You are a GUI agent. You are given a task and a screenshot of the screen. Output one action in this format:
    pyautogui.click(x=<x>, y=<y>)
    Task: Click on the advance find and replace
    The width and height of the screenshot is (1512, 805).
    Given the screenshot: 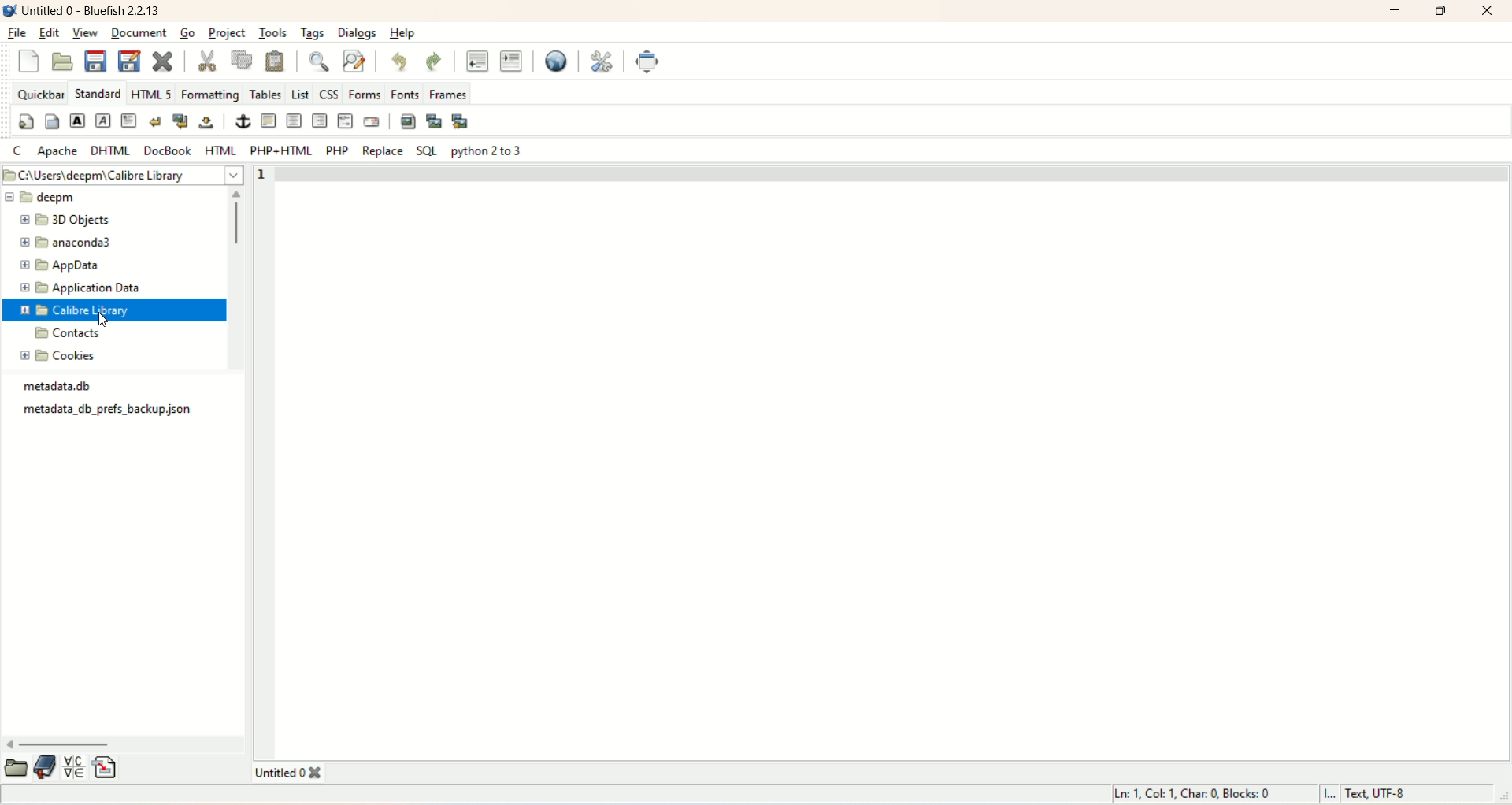 What is the action you would take?
    pyautogui.click(x=355, y=62)
    